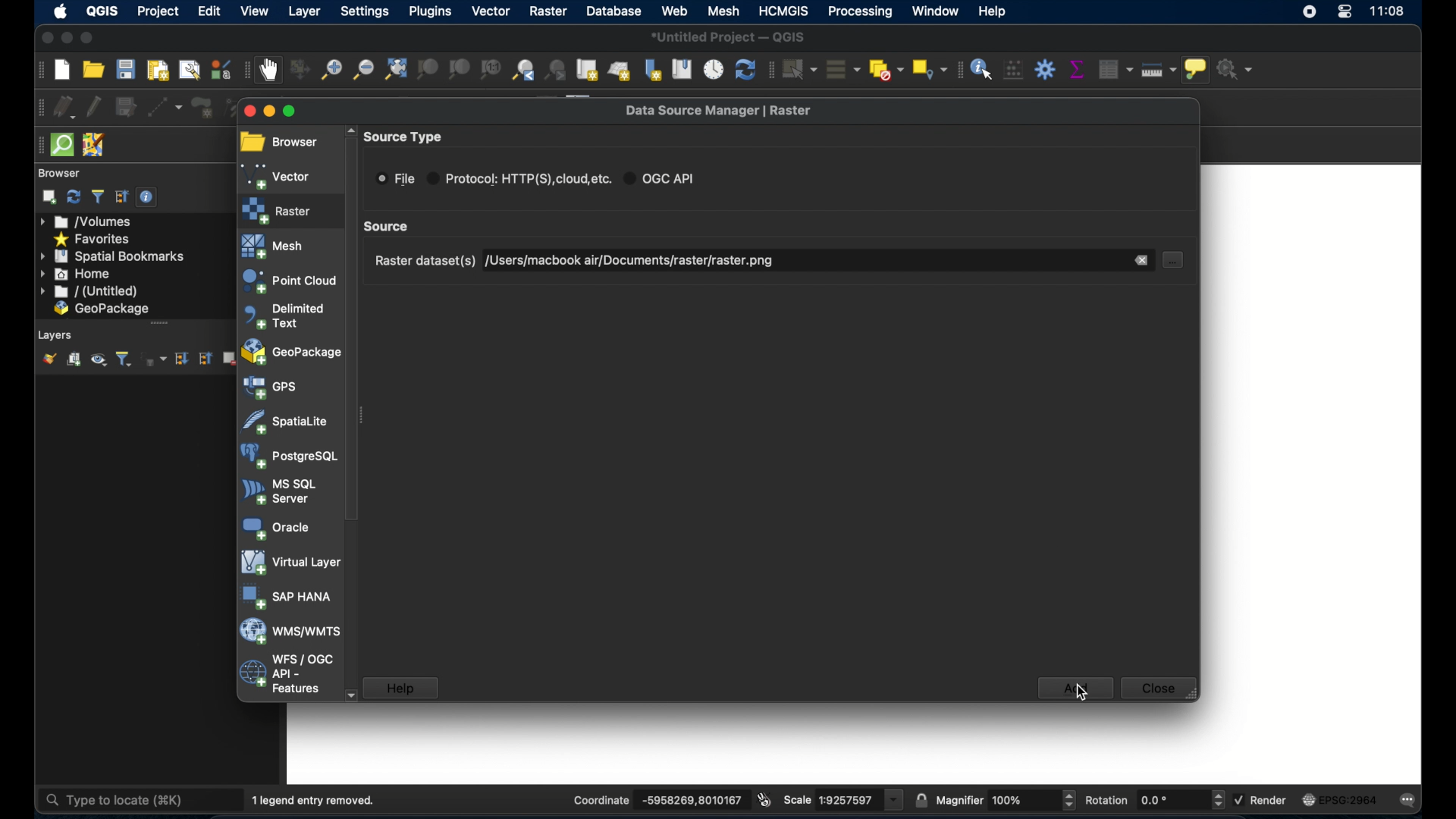 This screenshot has width=1456, height=819. Describe the element at coordinates (858, 11) in the screenshot. I see `processing` at that location.